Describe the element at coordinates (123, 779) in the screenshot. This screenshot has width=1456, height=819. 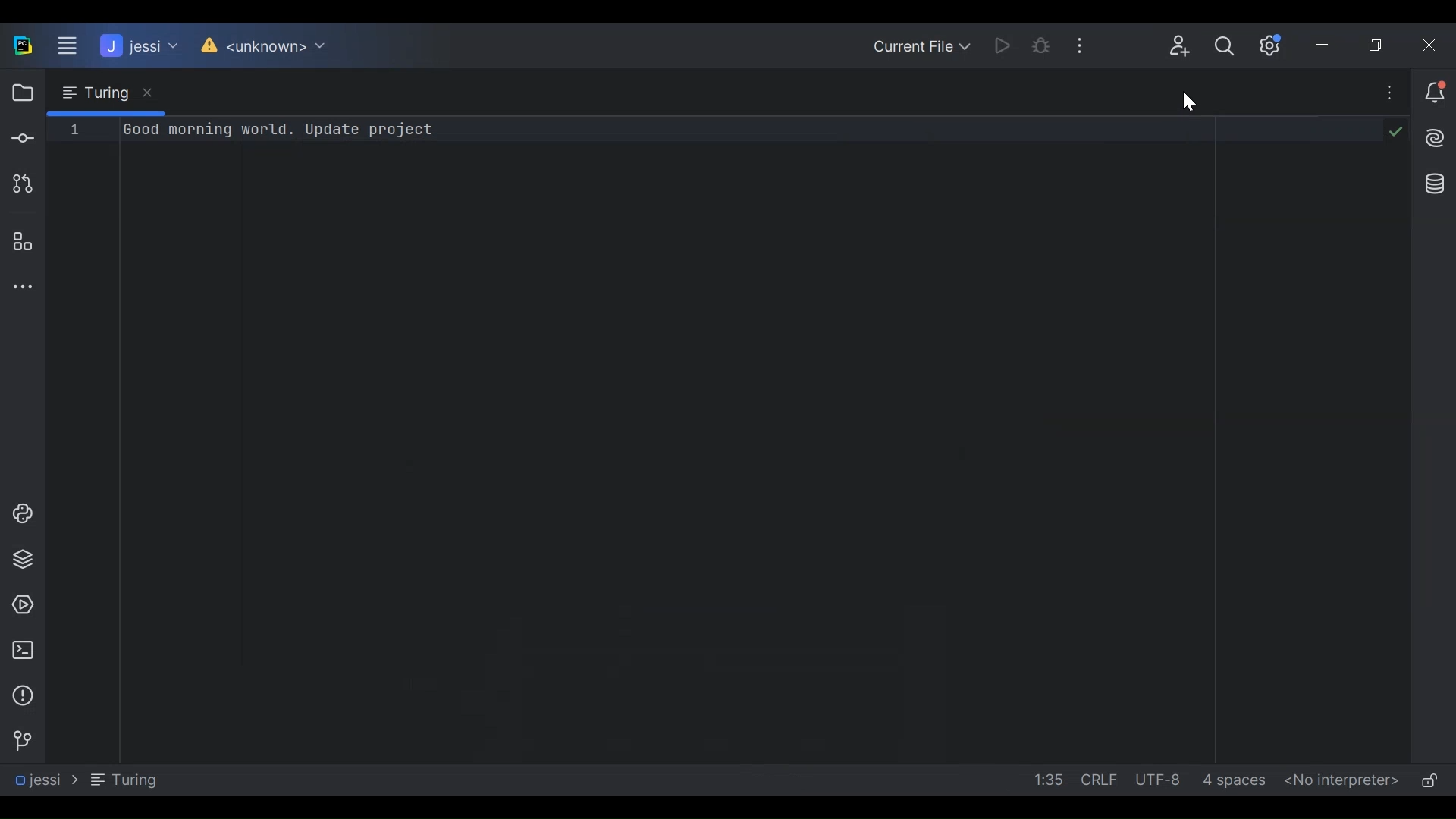
I see `Turing` at that location.